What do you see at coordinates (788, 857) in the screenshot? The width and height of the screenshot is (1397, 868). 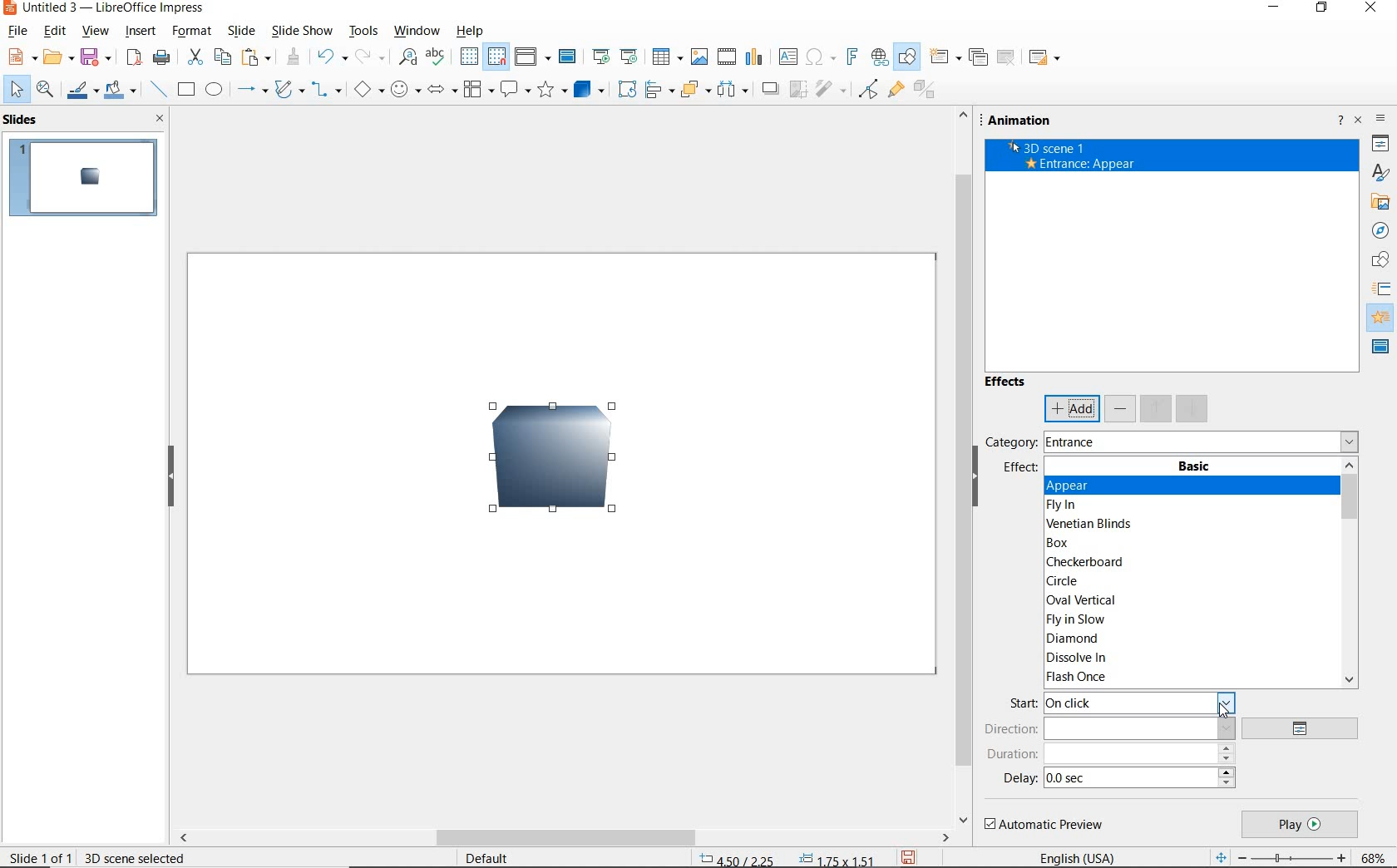 I see `position & size` at bounding box center [788, 857].